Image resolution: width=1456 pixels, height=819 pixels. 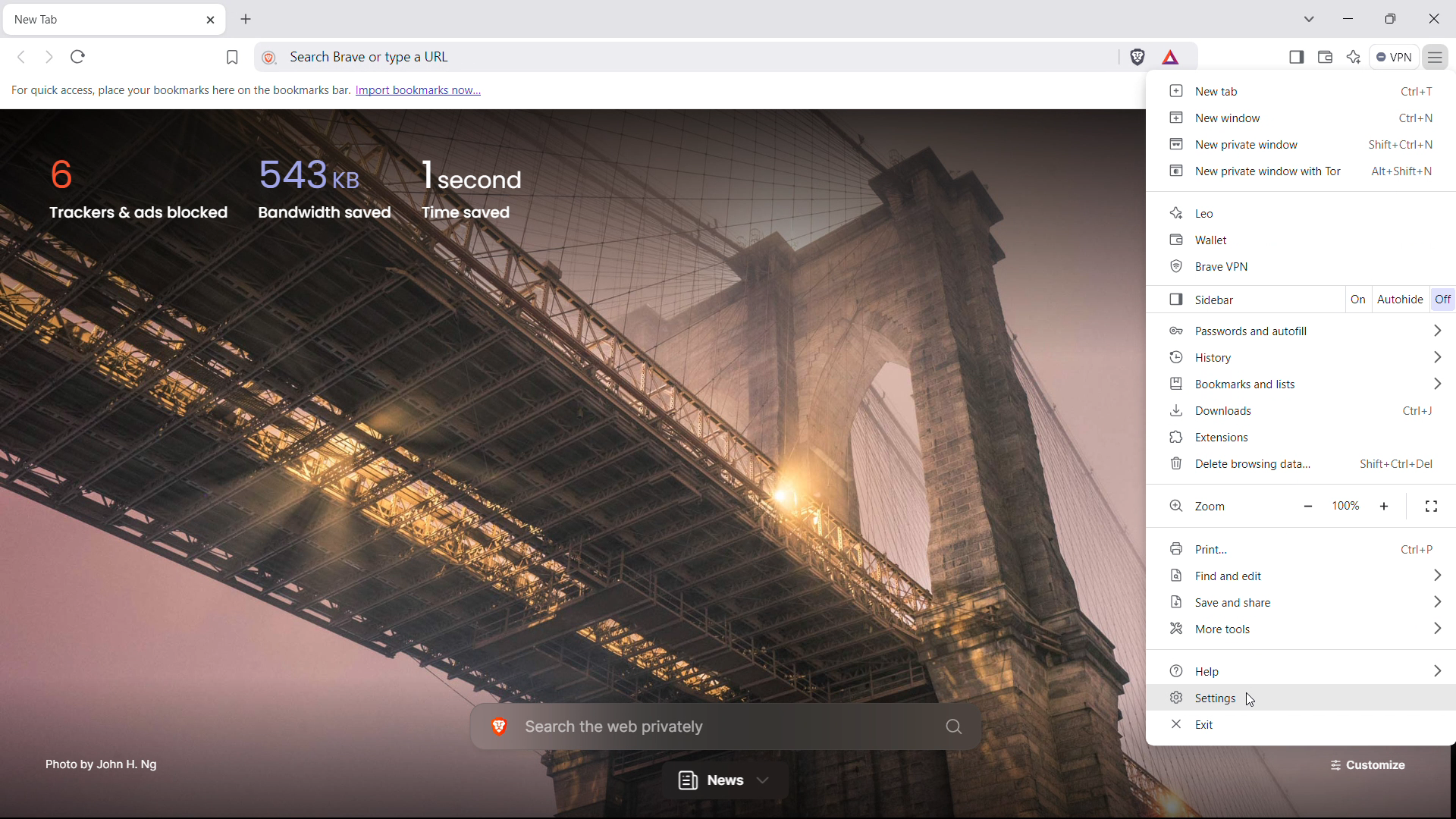 What do you see at coordinates (101, 19) in the screenshot?
I see `tabtitle` at bounding box center [101, 19].